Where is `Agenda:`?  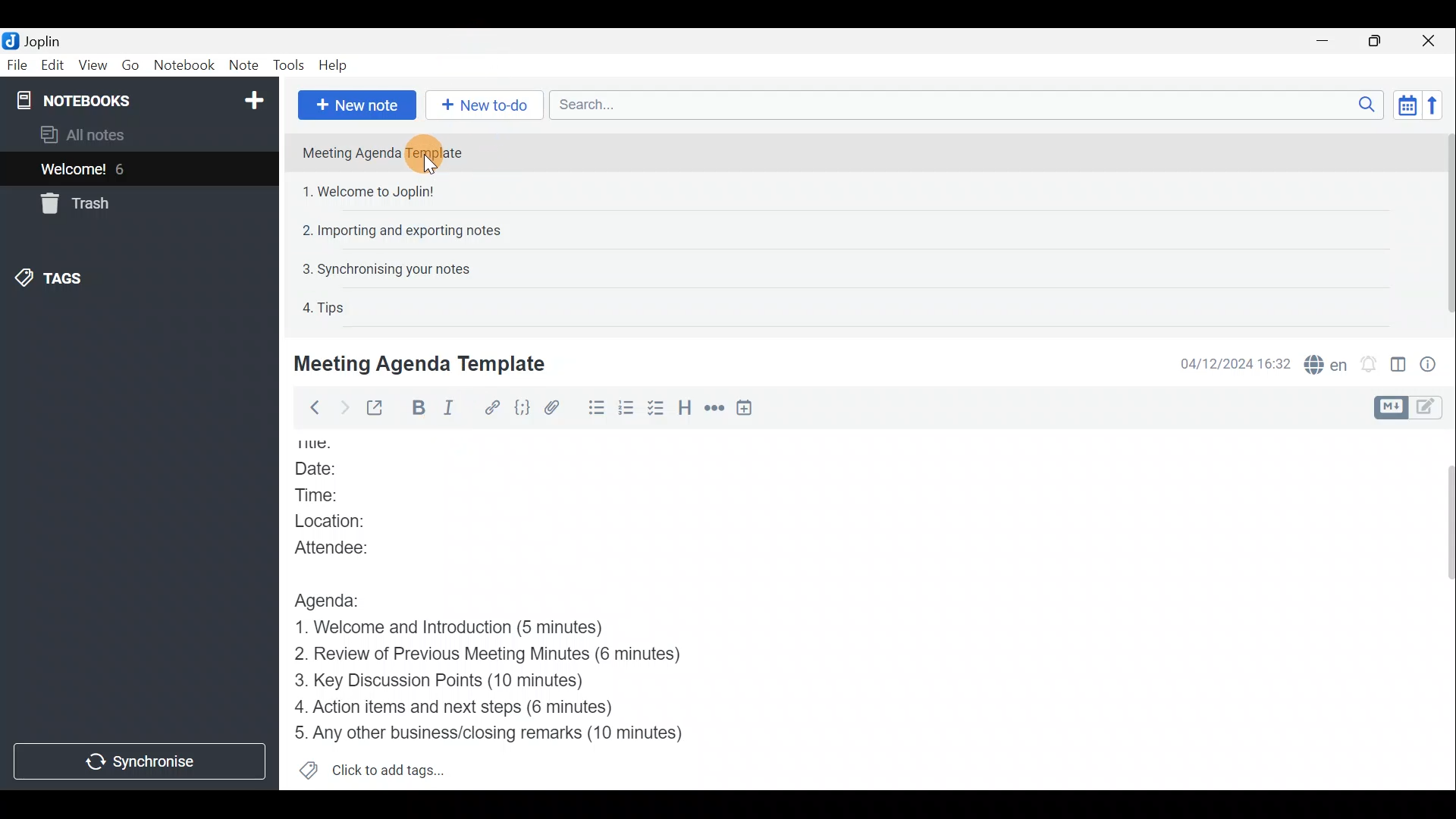 Agenda: is located at coordinates (337, 598).